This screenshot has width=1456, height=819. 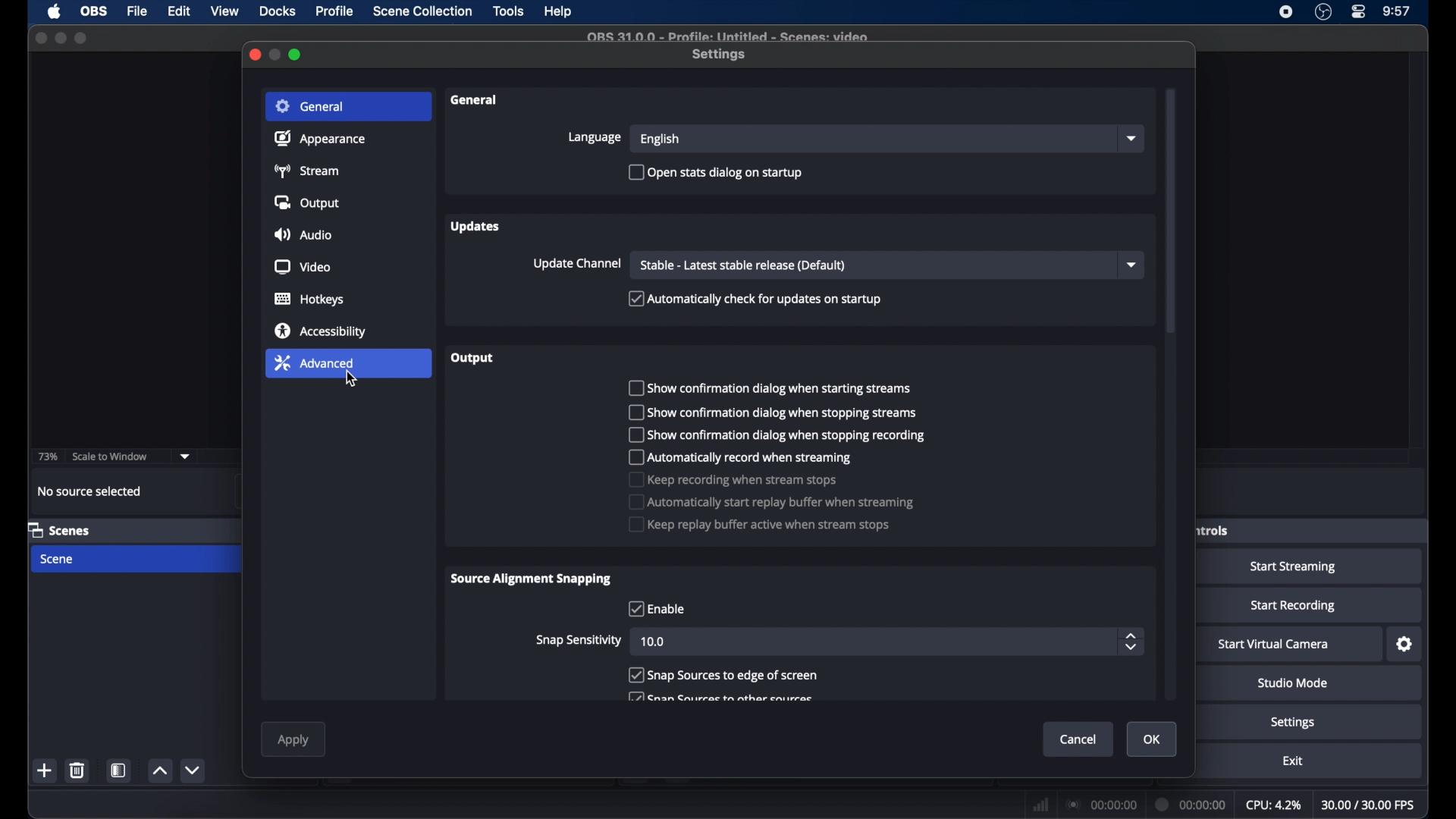 What do you see at coordinates (720, 55) in the screenshot?
I see `settings` at bounding box center [720, 55].